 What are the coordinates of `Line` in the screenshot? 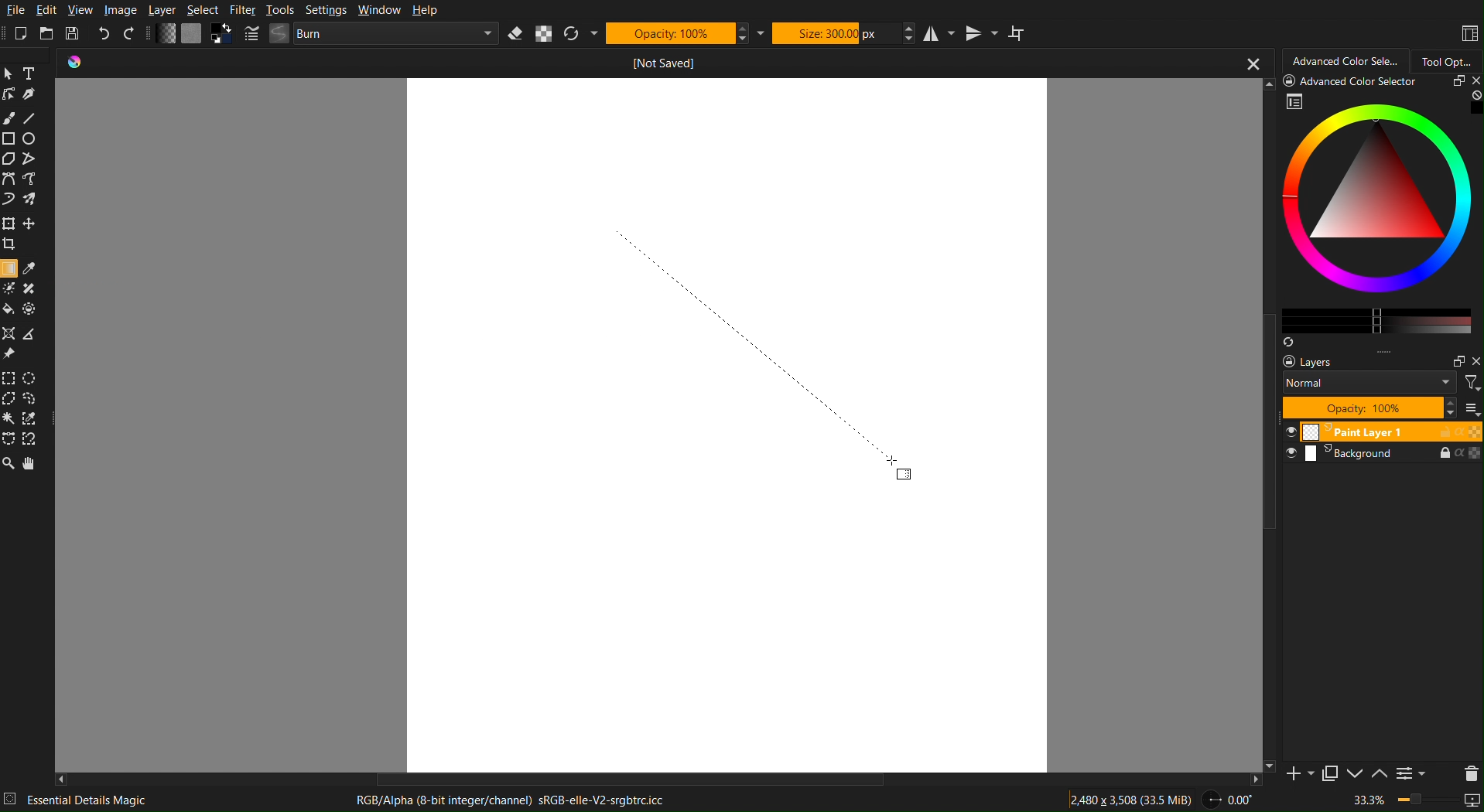 It's located at (30, 118).